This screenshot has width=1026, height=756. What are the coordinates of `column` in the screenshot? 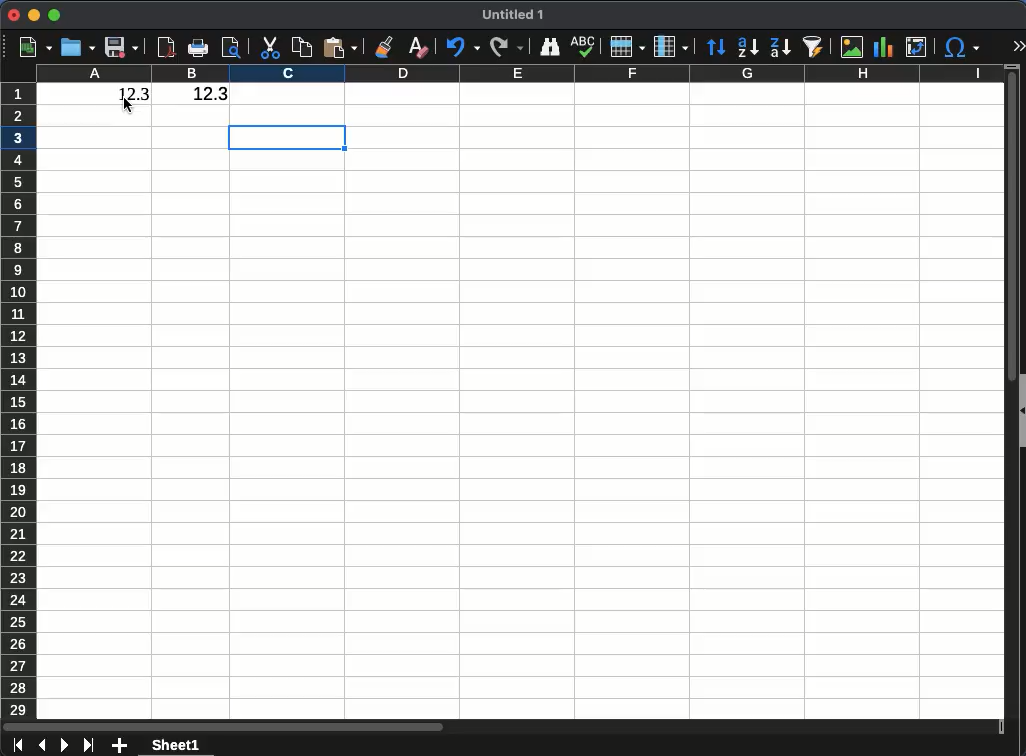 It's located at (670, 47).